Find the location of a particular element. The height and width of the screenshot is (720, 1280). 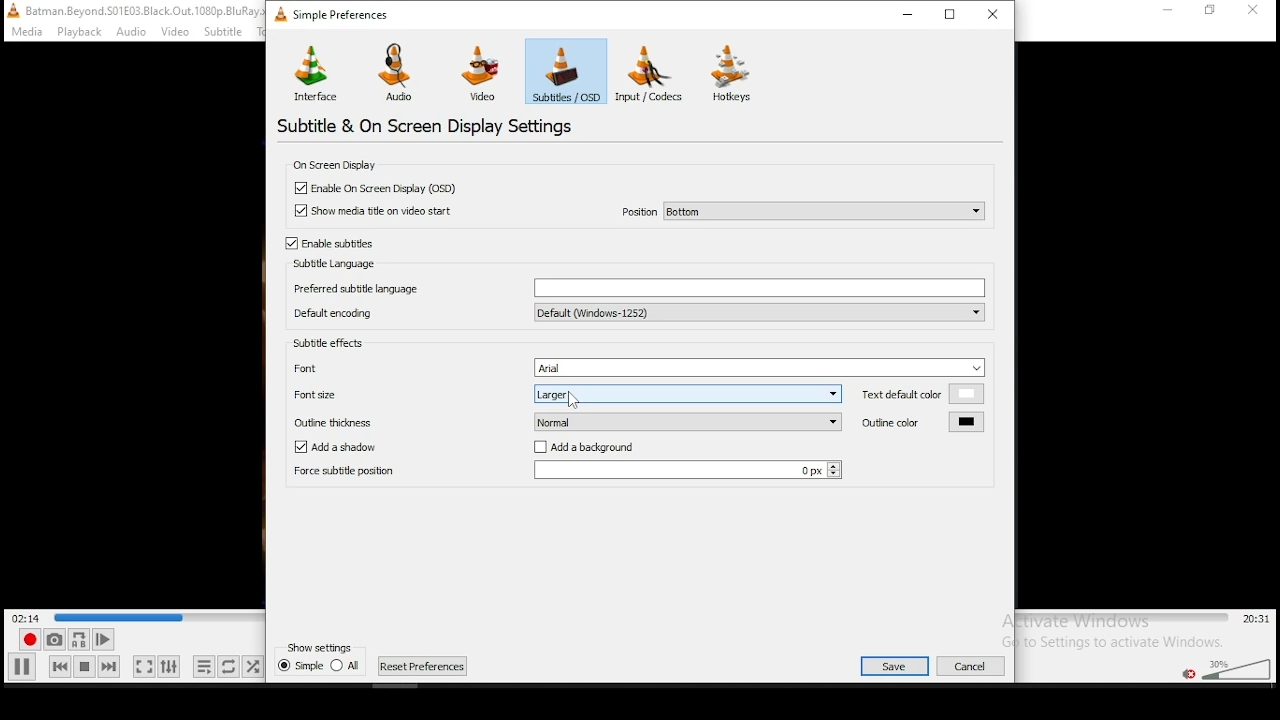

 is located at coordinates (176, 32).